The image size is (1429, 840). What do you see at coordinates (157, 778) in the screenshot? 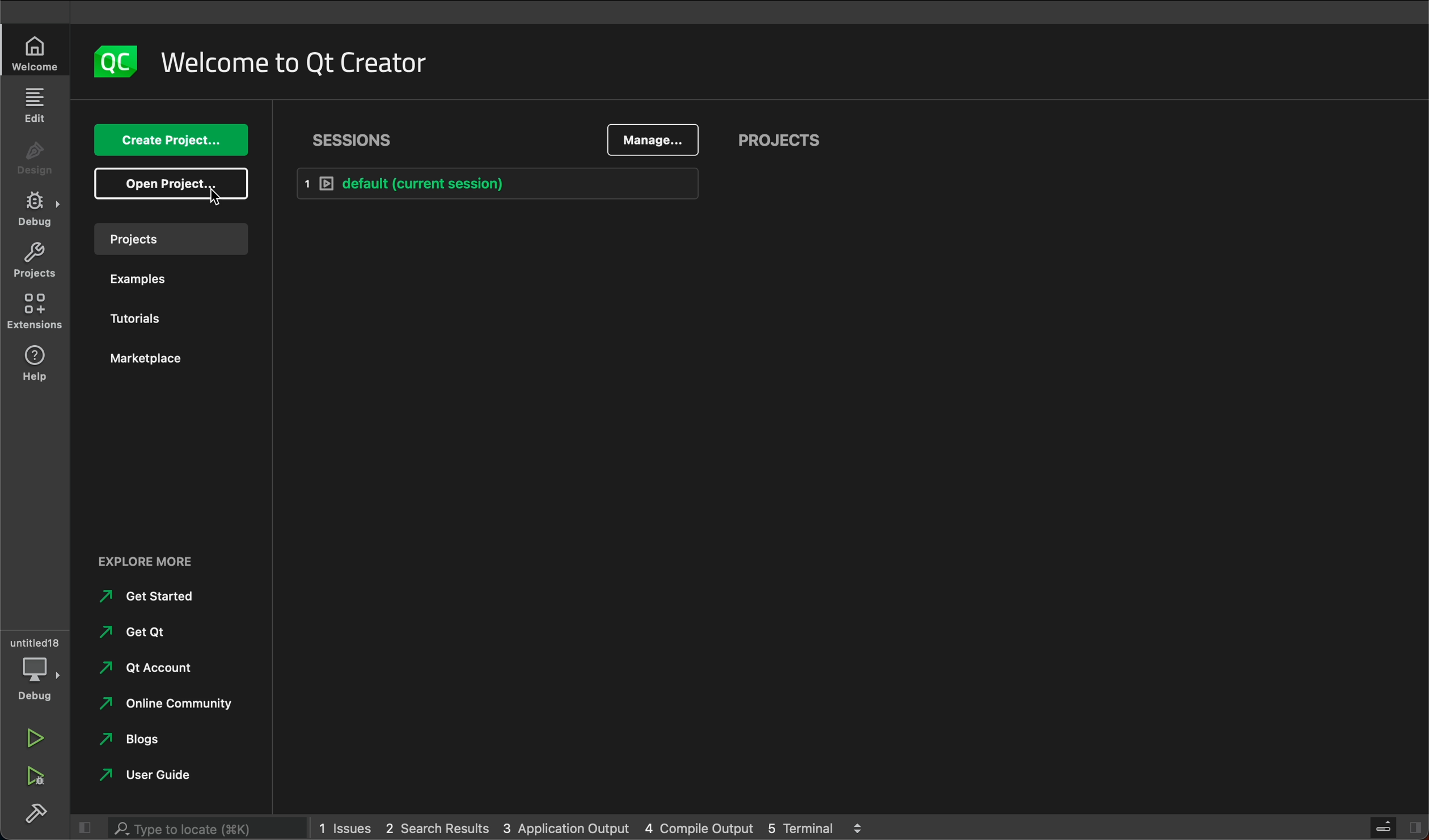
I see `user guide` at bounding box center [157, 778].